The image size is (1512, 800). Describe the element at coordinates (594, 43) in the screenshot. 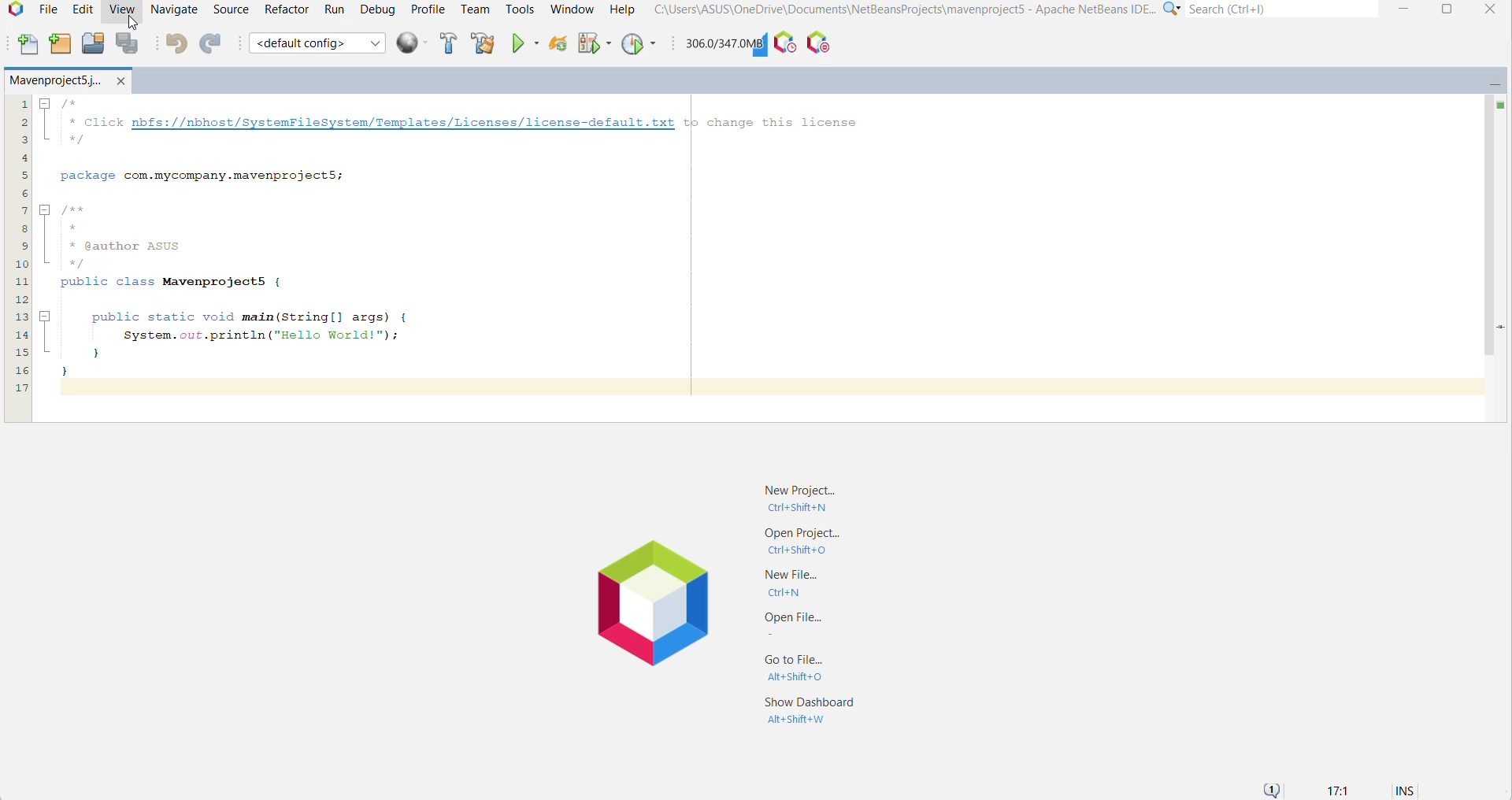

I see `Debug Main Project` at that location.